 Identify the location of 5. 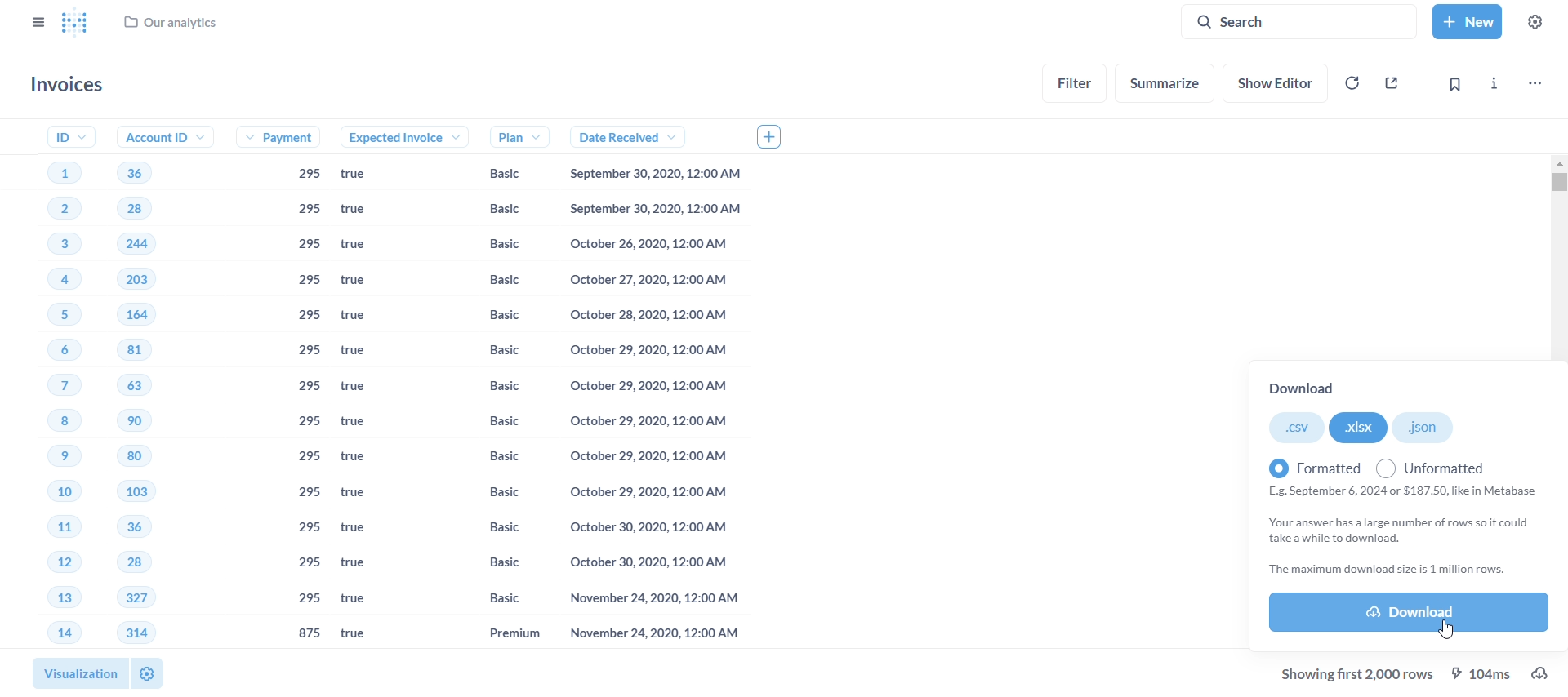
(56, 313).